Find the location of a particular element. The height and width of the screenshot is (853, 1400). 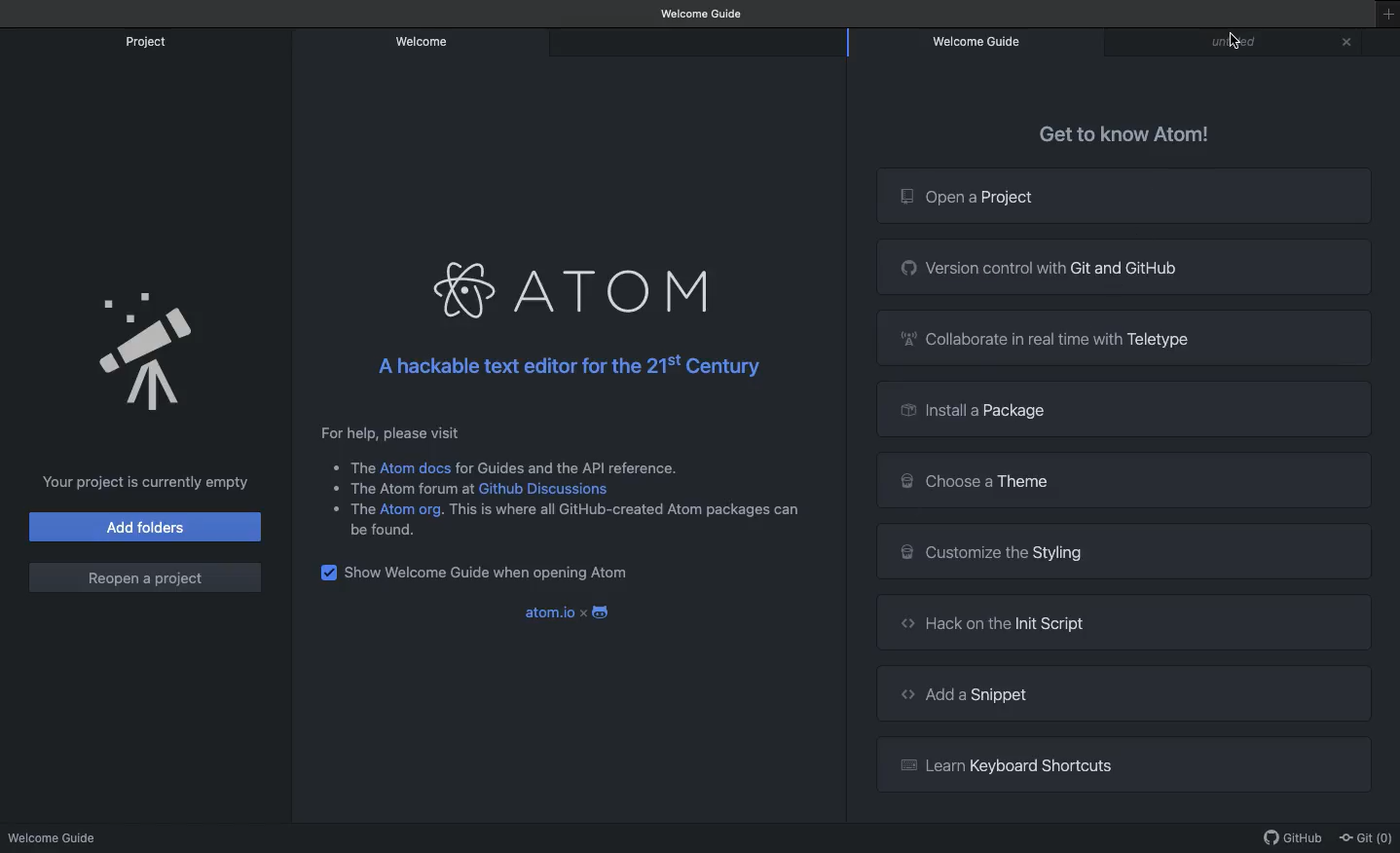

snippet  is located at coordinates (894, 697).